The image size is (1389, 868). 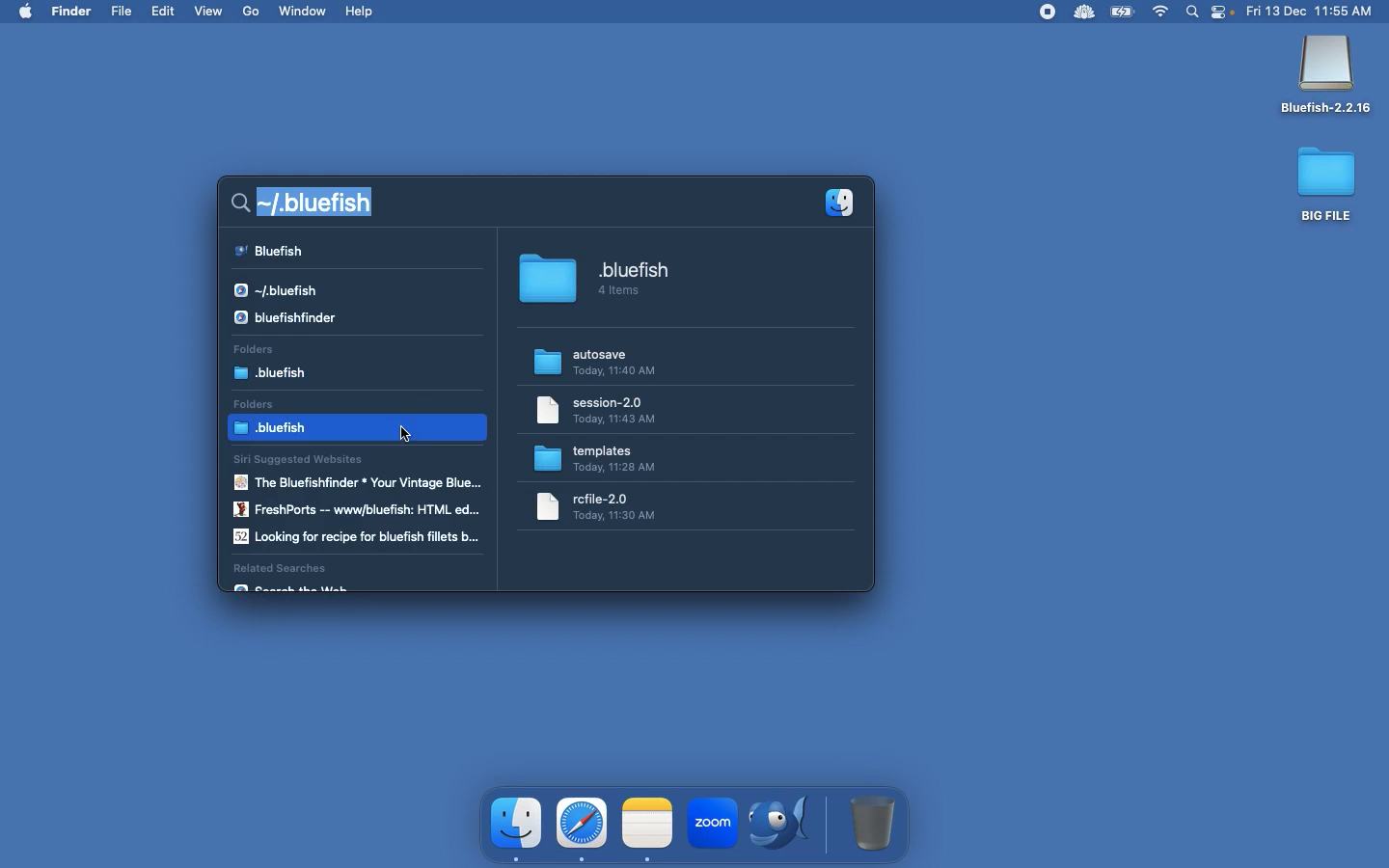 What do you see at coordinates (286, 349) in the screenshot?
I see `Folders ` at bounding box center [286, 349].